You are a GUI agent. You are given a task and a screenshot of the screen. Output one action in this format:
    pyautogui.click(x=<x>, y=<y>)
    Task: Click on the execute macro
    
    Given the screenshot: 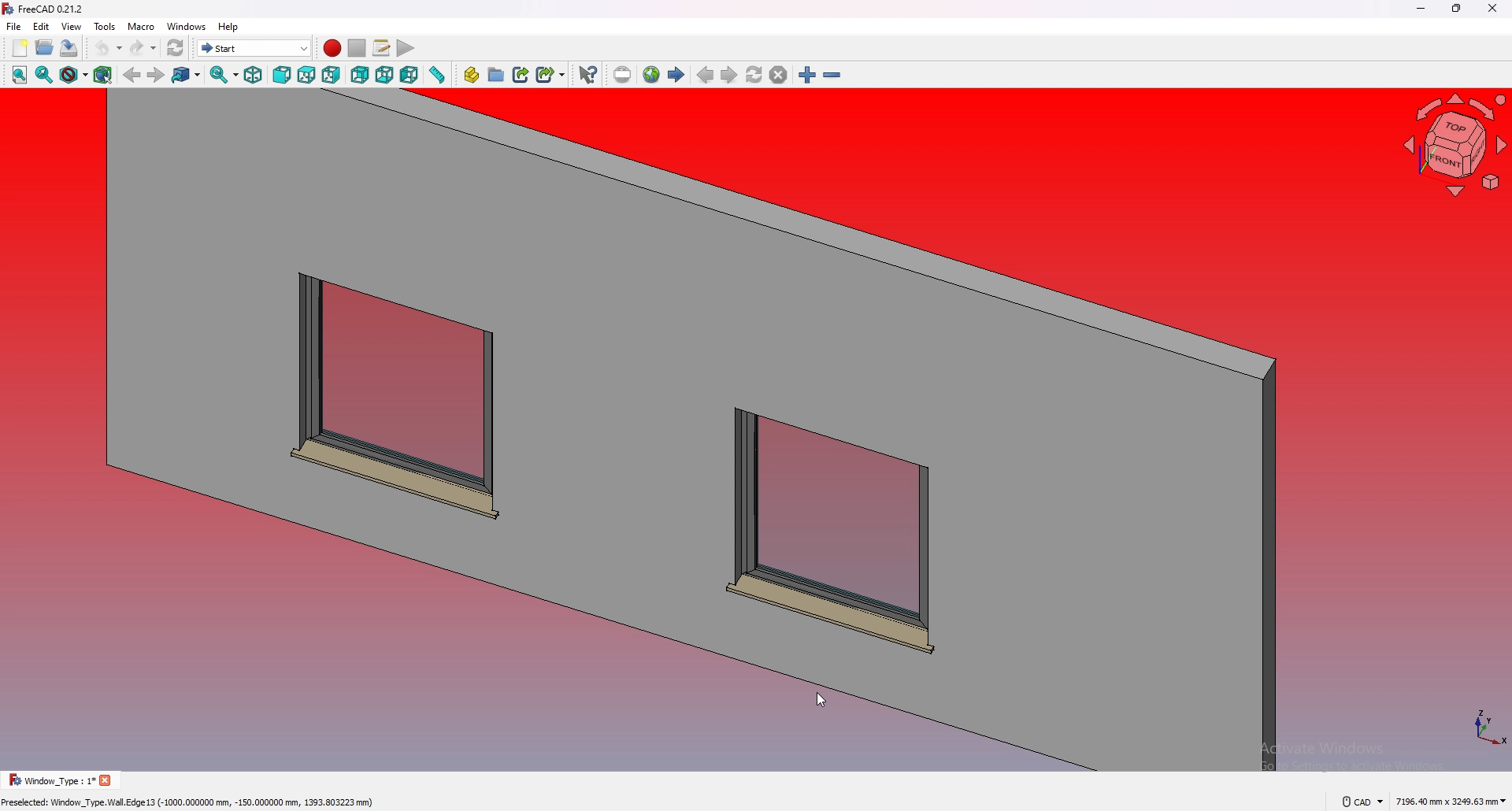 What is the action you would take?
    pyautogui.click(x=405, y=50)
    